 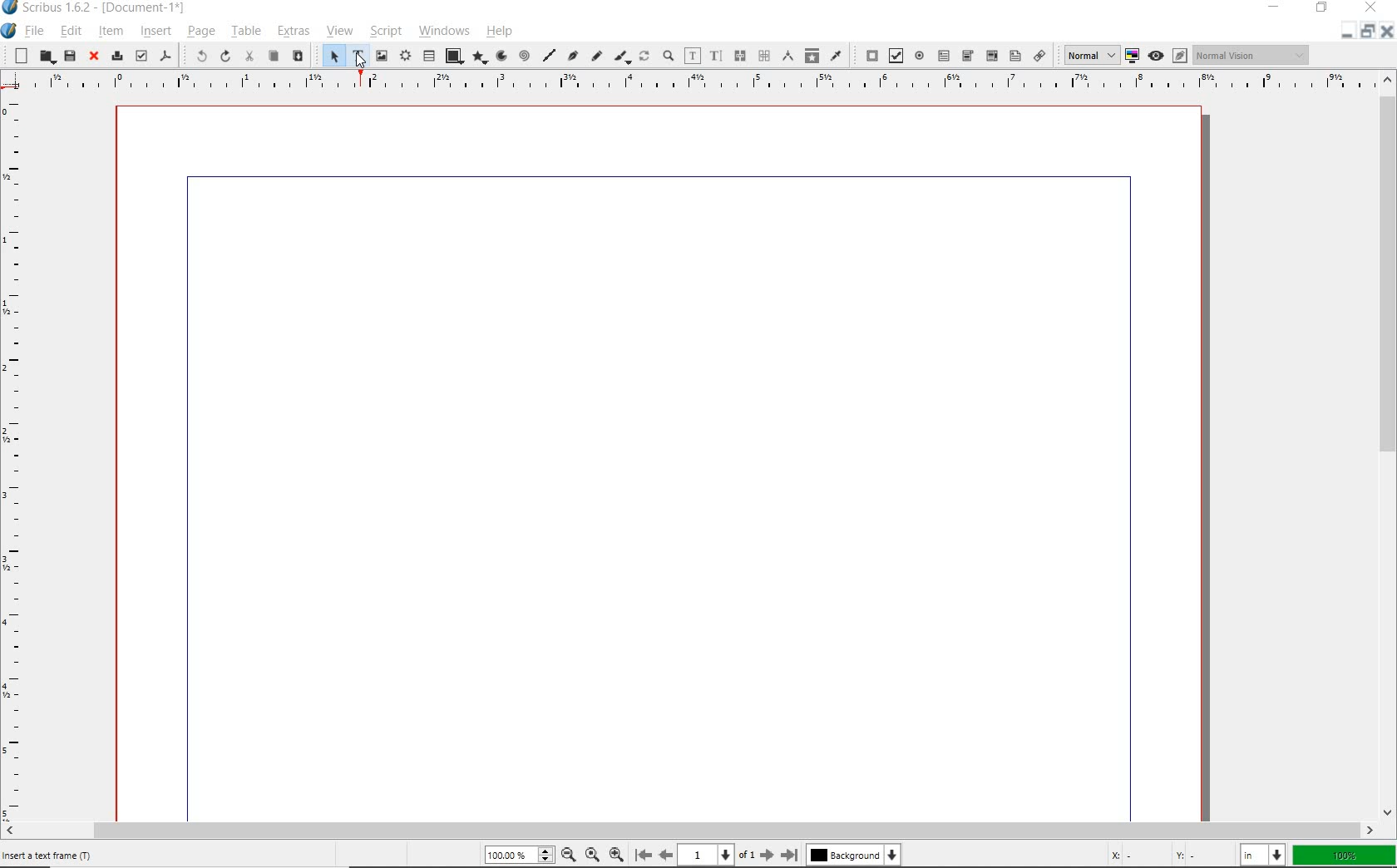 I want to click on Close, so click(x=1386, y=32).